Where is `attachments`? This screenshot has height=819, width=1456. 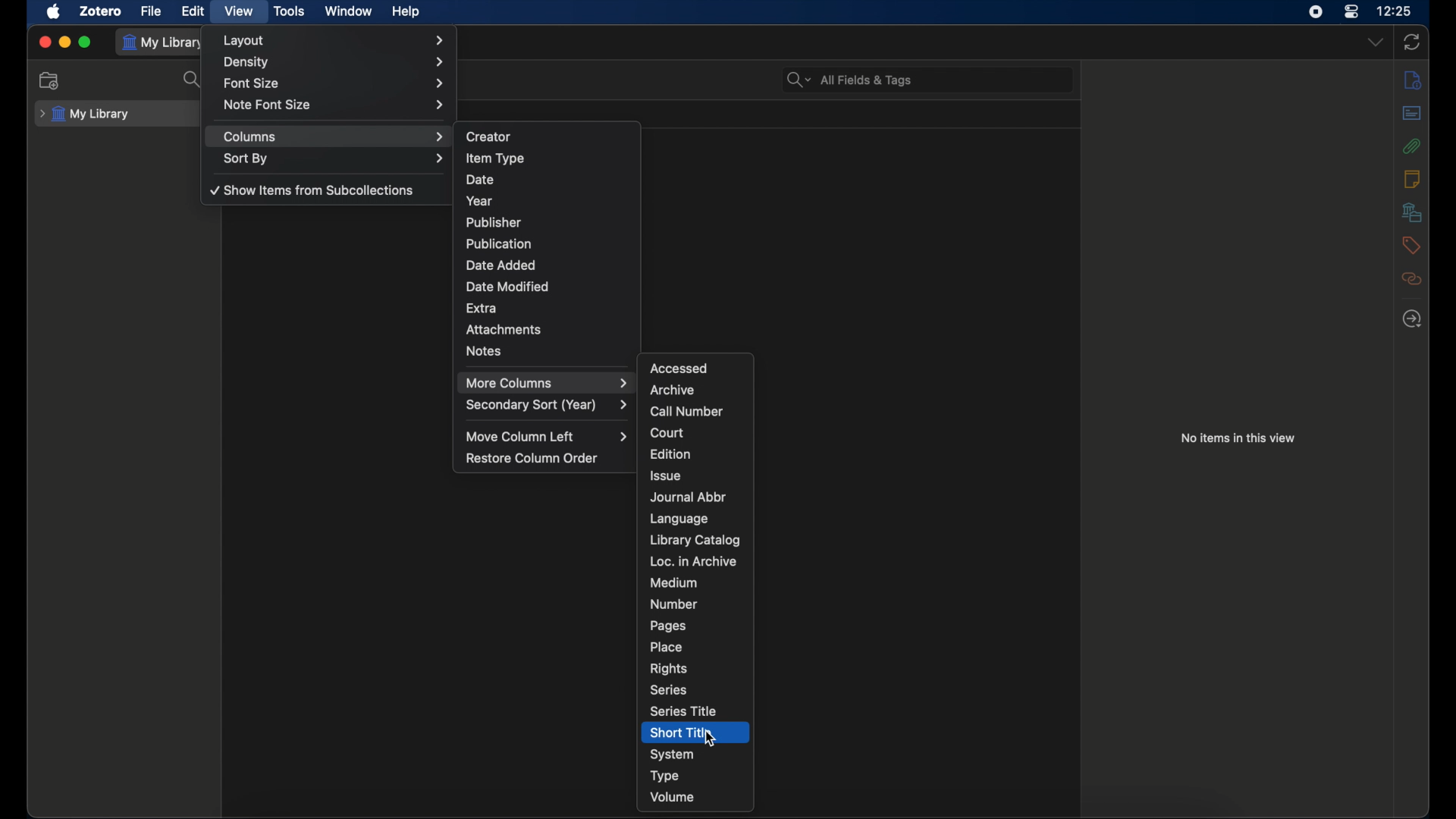 attachments is located at coordinates (1412, 146).